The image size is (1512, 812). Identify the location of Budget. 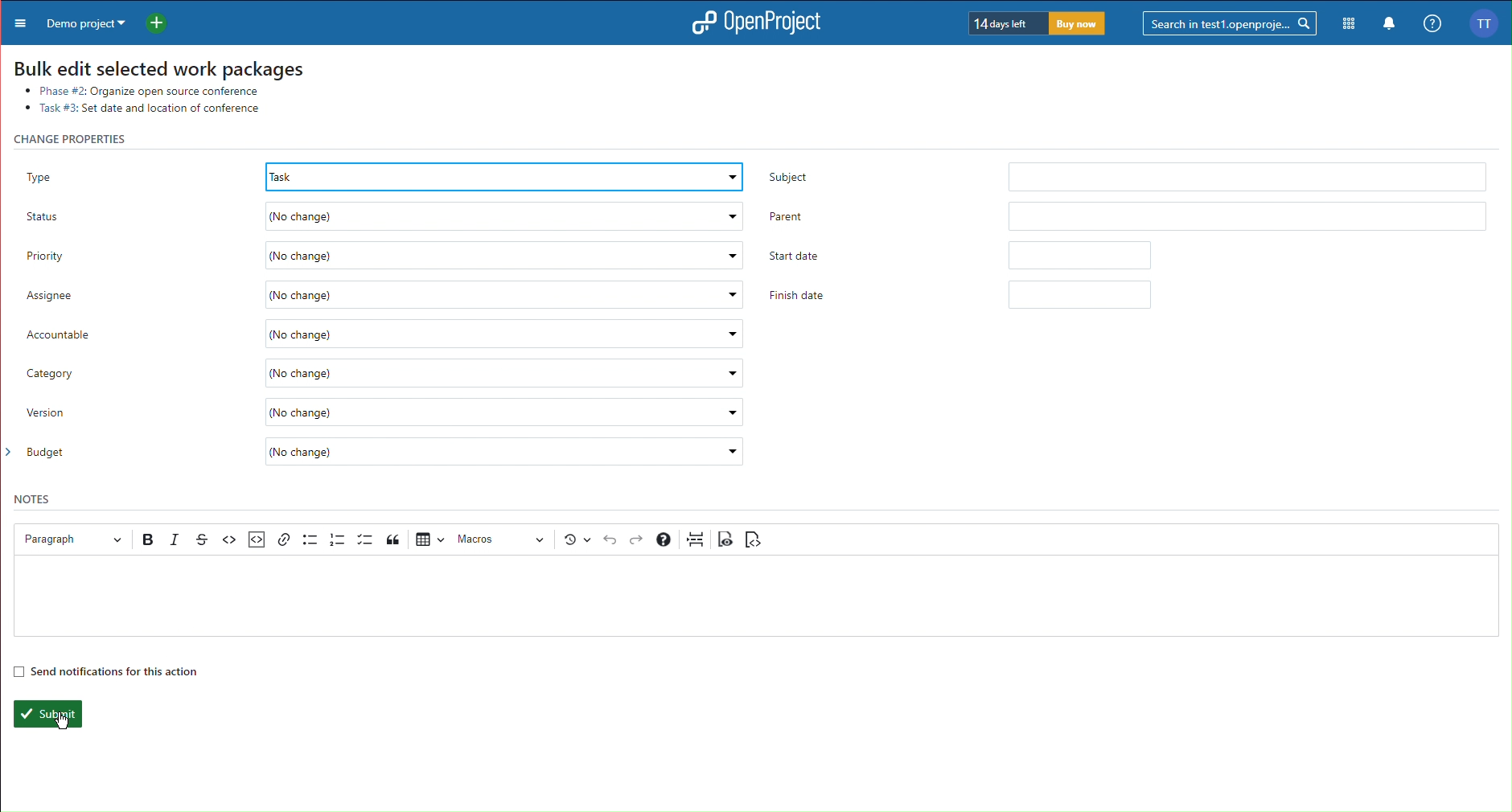
(386, 453).